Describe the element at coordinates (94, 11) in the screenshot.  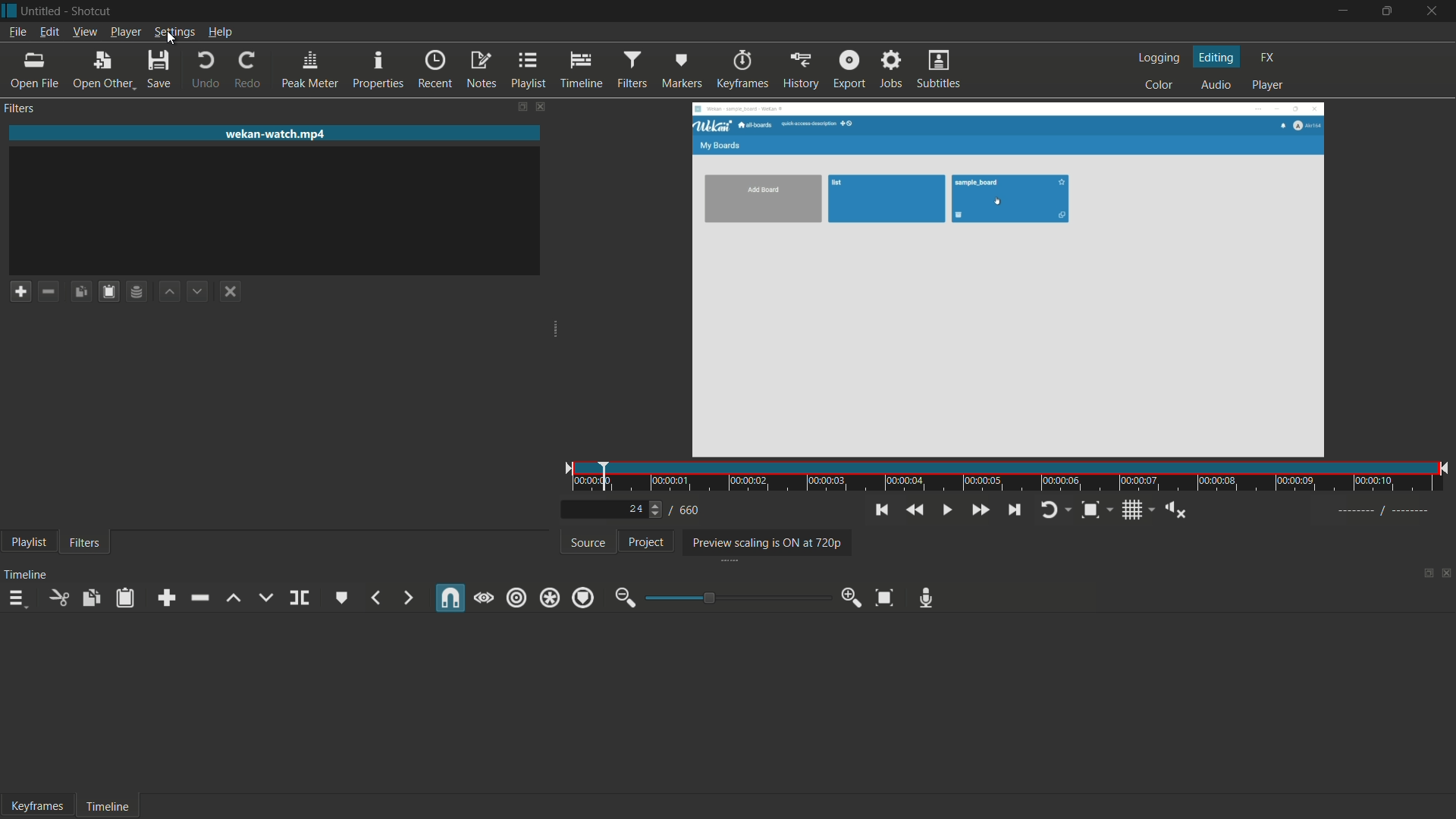
I see `app name` at that location.